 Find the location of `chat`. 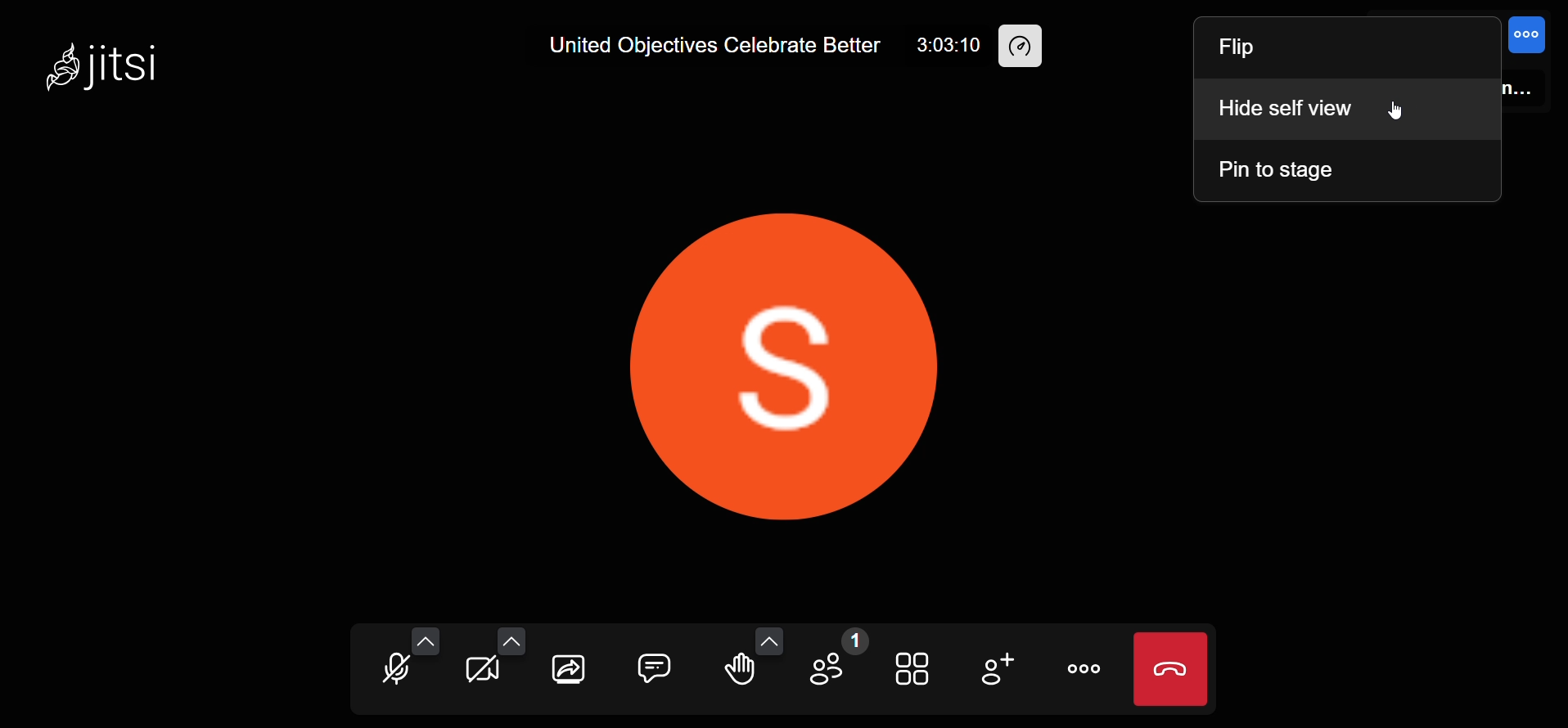

chat is located at coordinates (655, 667).